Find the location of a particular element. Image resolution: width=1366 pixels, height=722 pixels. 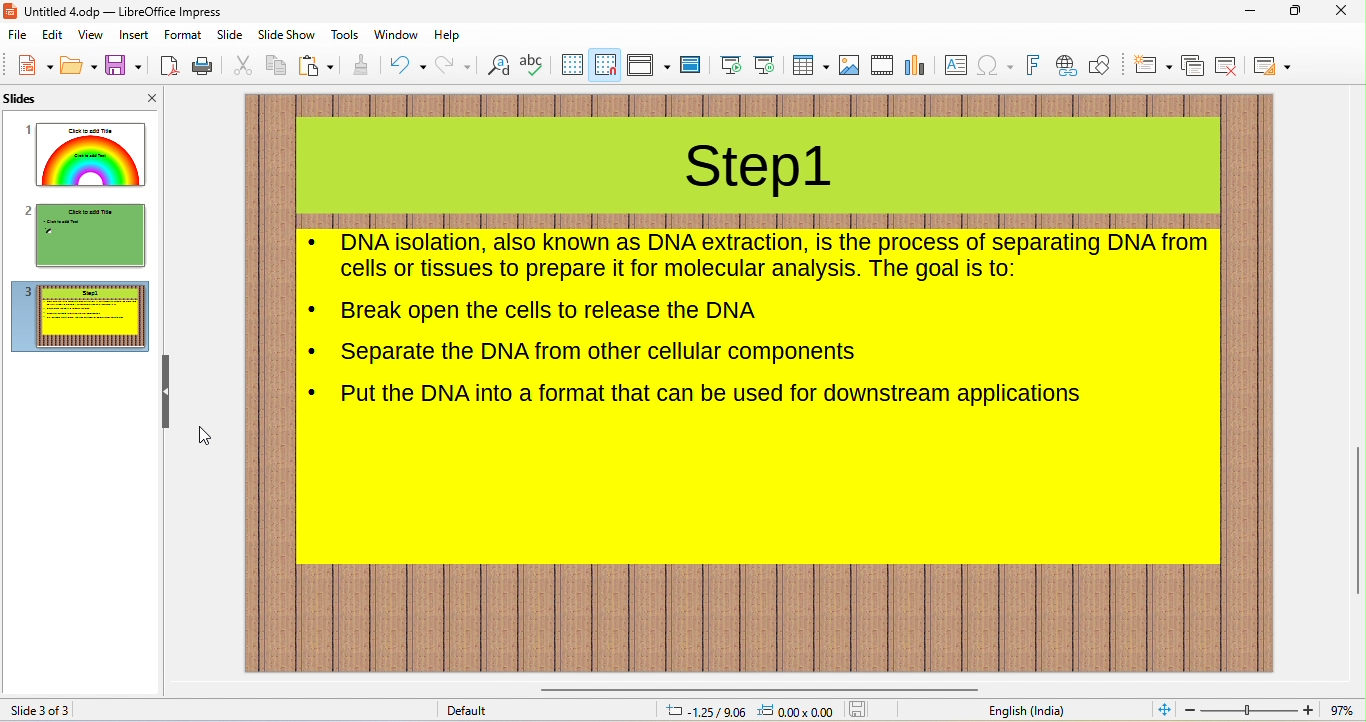

display views is located at coordinates (649, 64).